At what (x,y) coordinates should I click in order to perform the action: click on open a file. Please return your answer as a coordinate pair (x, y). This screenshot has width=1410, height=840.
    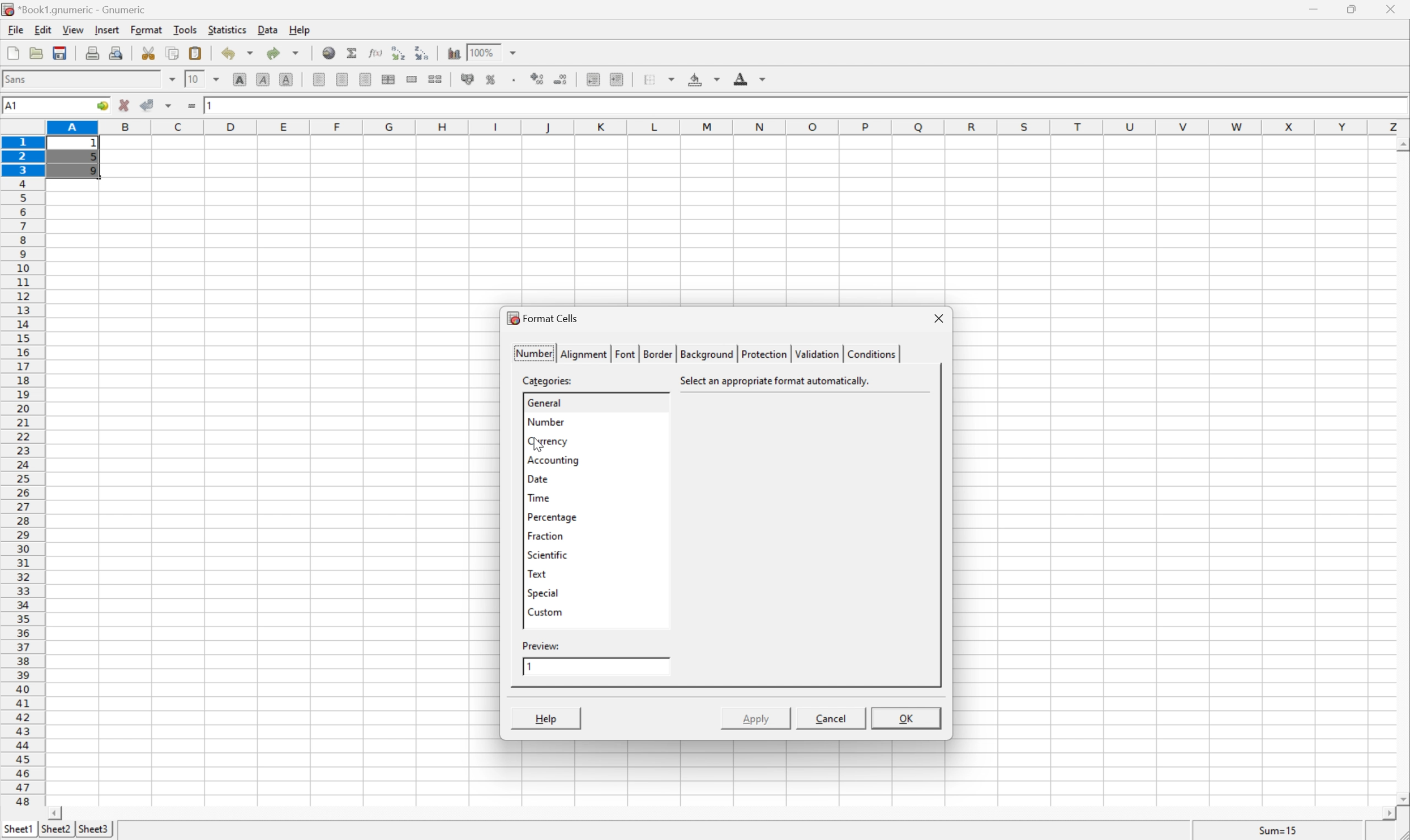
    Looking at the image, I should click on (35, 51).